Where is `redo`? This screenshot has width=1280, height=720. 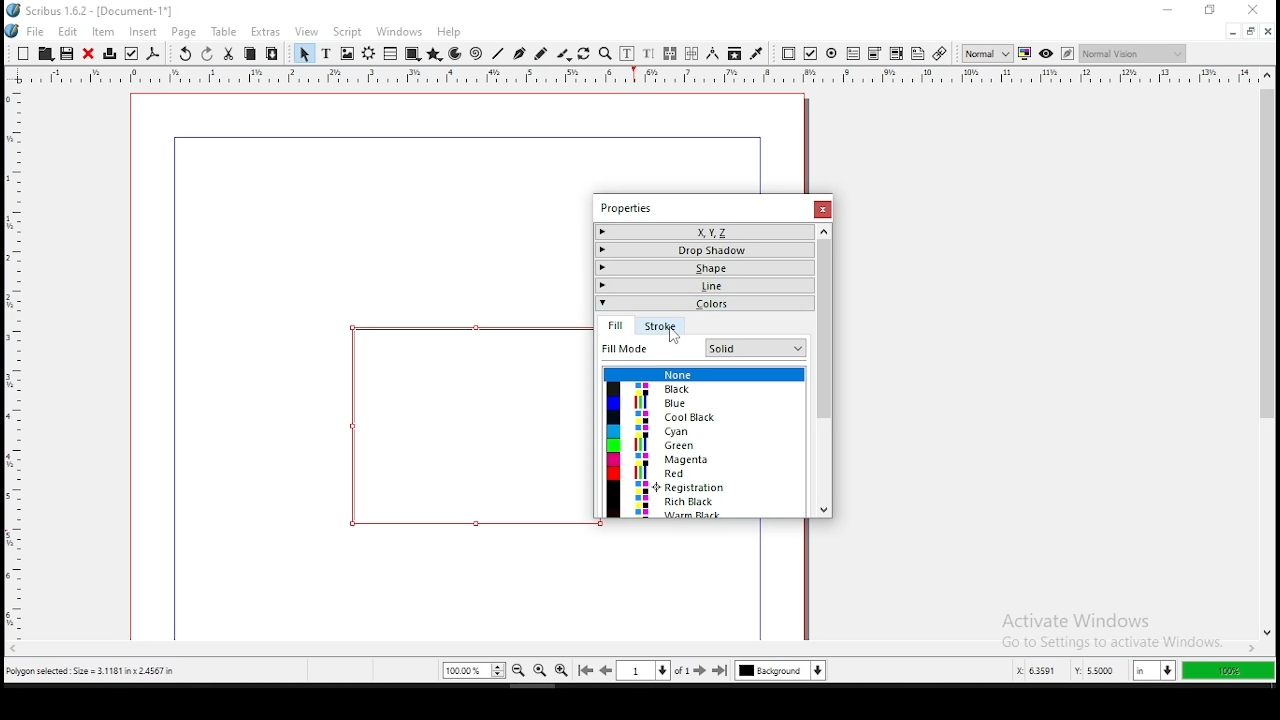 redo is located at coordinates (207, 54).